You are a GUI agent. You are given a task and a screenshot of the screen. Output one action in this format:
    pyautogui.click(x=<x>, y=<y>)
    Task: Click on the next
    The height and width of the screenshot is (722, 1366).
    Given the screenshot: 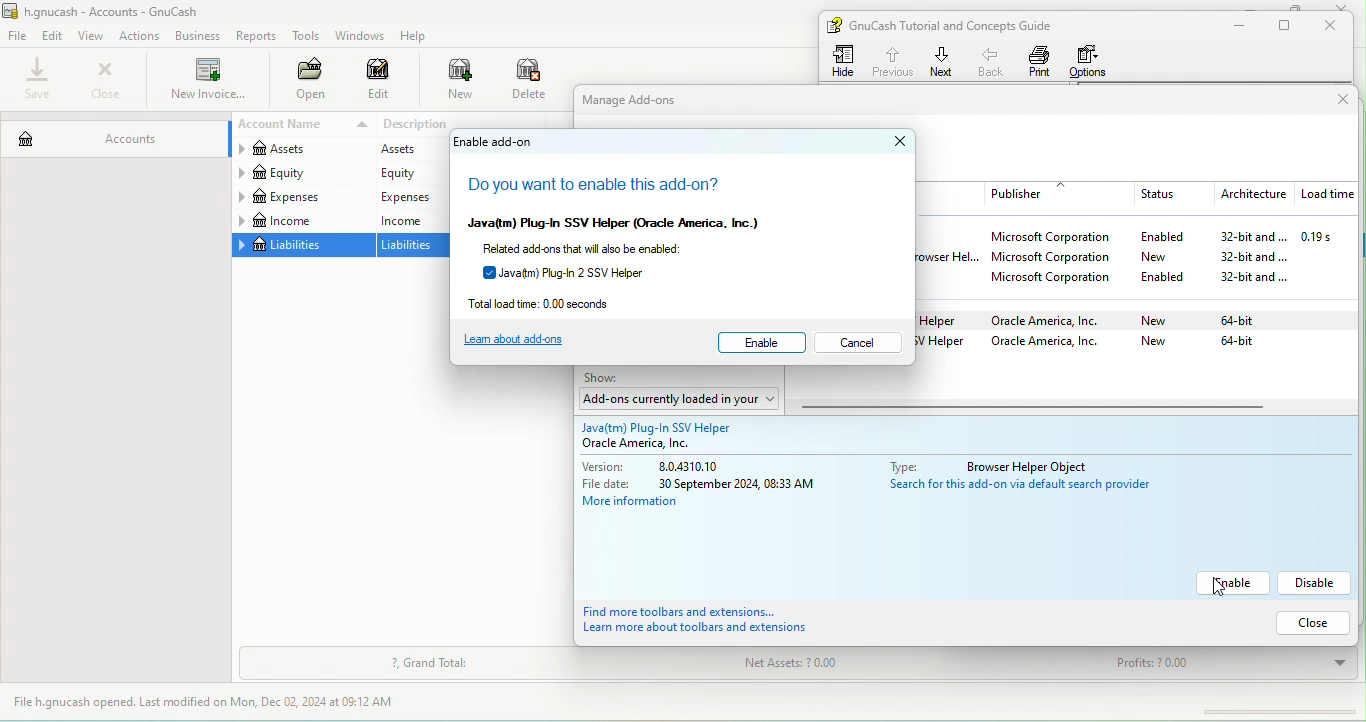 What is the action you would take?
    pyautogui.click(x=942, y=61)
    